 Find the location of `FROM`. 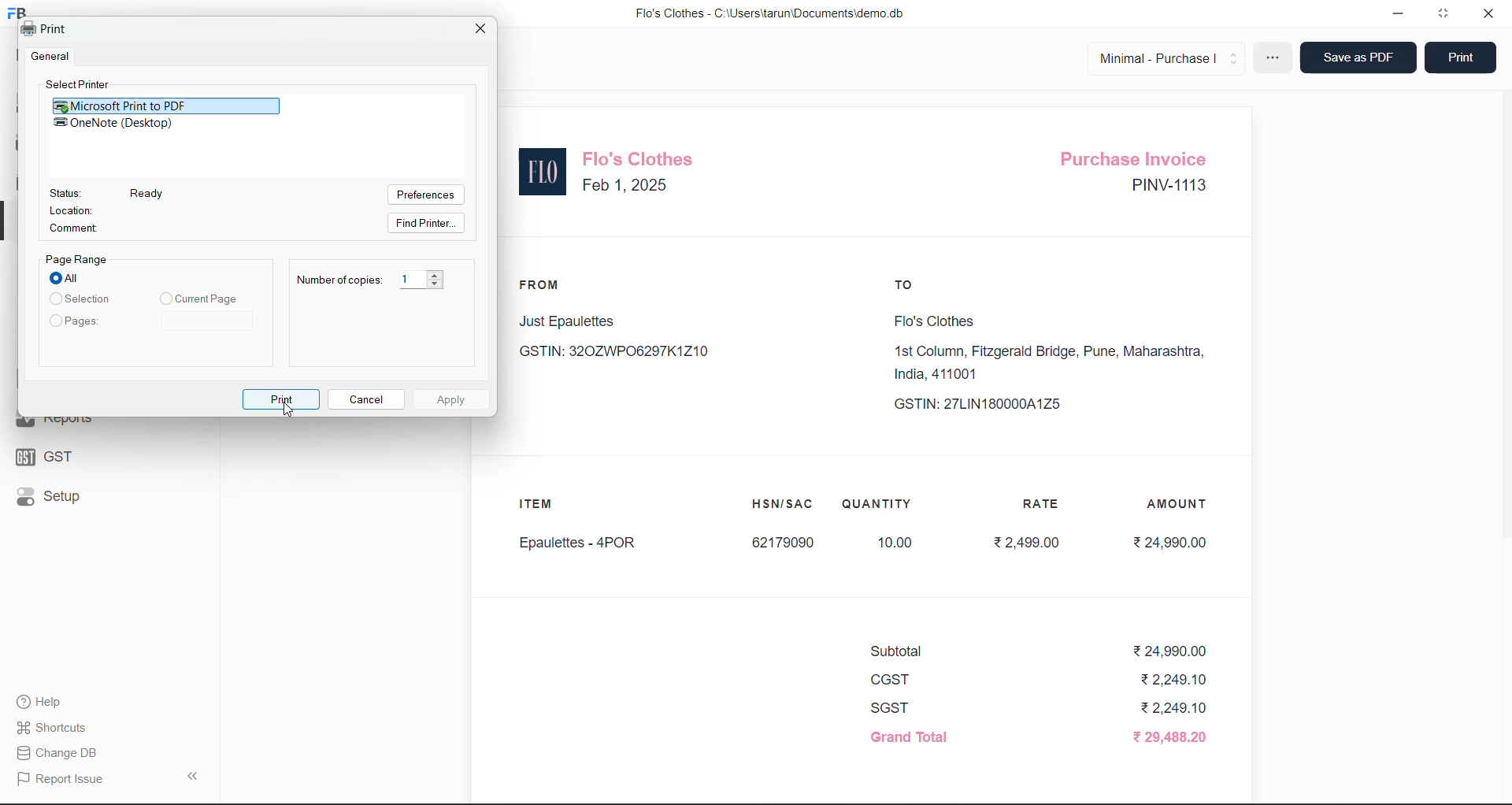

FROM is located at coordinates (547, 283).